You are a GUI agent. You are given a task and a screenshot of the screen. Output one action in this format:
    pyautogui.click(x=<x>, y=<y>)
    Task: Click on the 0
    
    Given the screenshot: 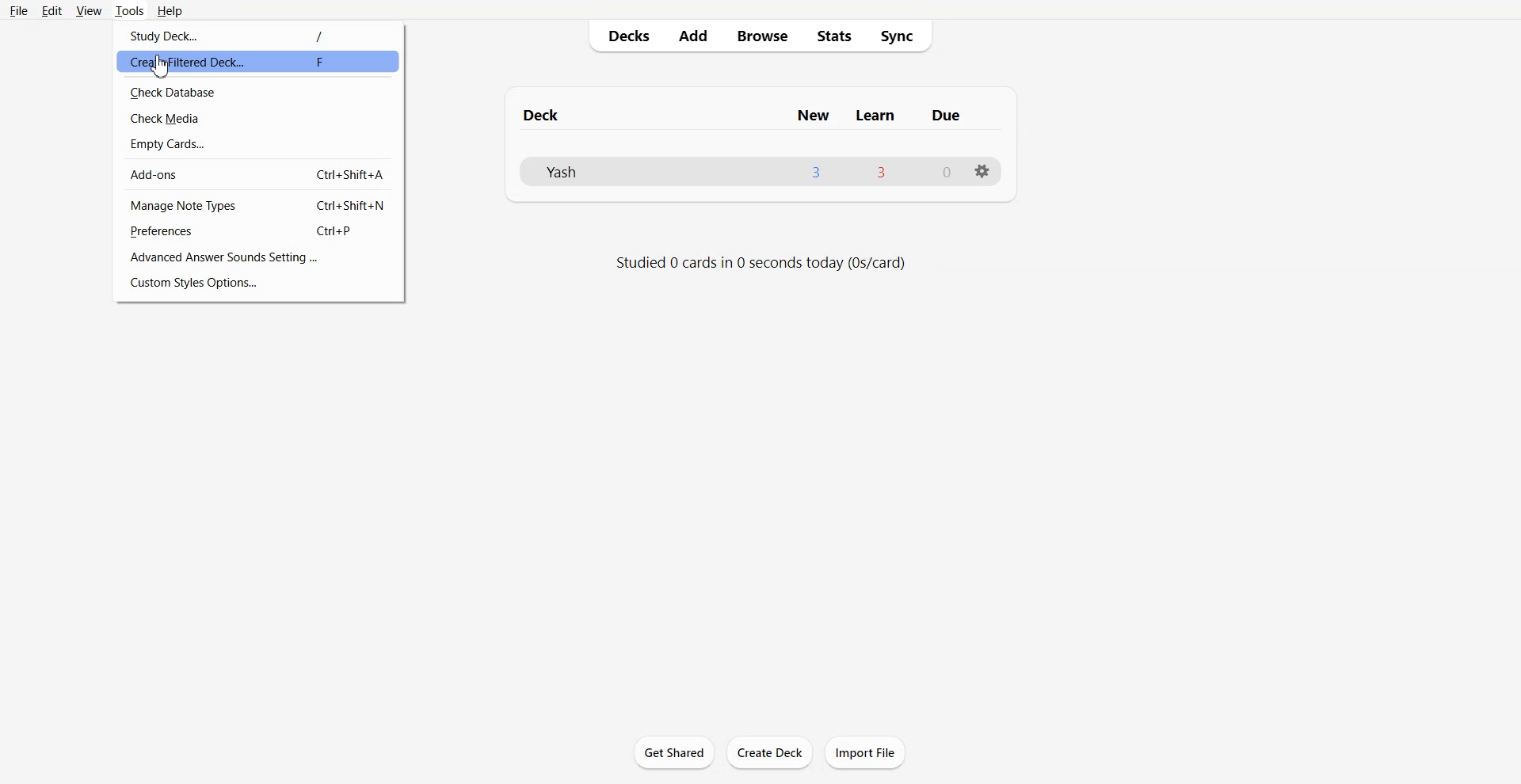 What is the action you would take?
    pyautogui.click(x=948, y=171)
    